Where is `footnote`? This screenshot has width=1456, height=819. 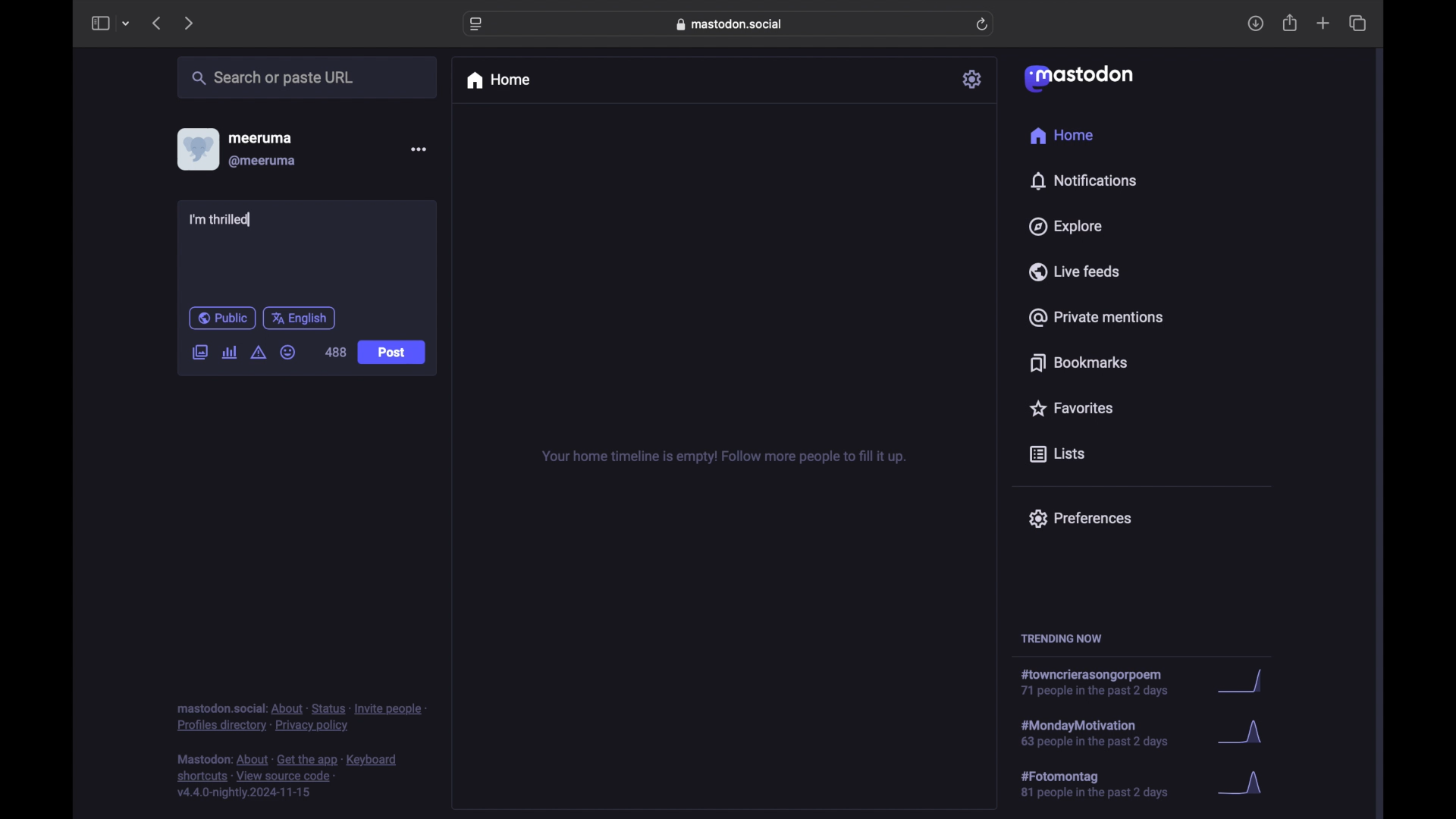 footnote is located at coordinates (287, 777).